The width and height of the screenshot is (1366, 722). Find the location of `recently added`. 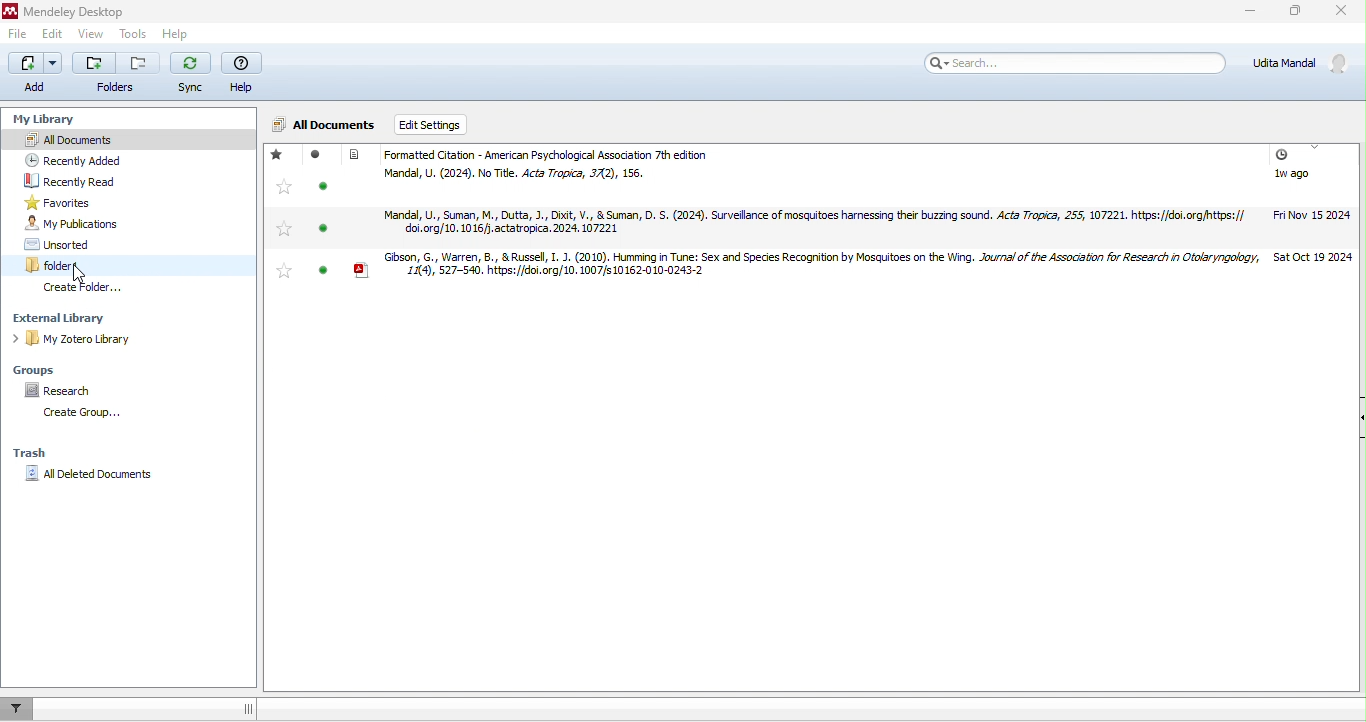

recently added is located at coordinates (77, 160).